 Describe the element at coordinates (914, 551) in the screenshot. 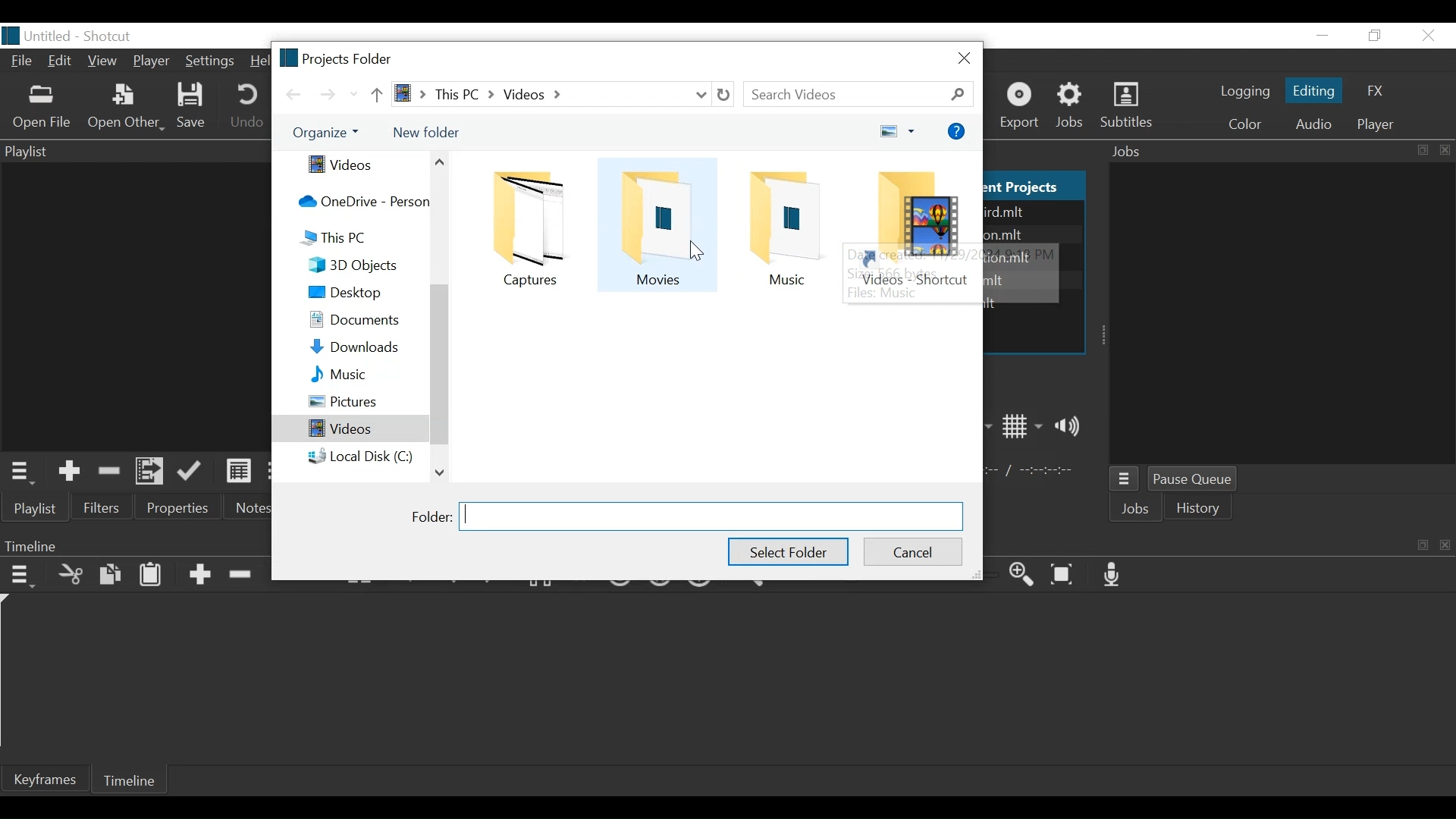

I see `Cancel` at that location.